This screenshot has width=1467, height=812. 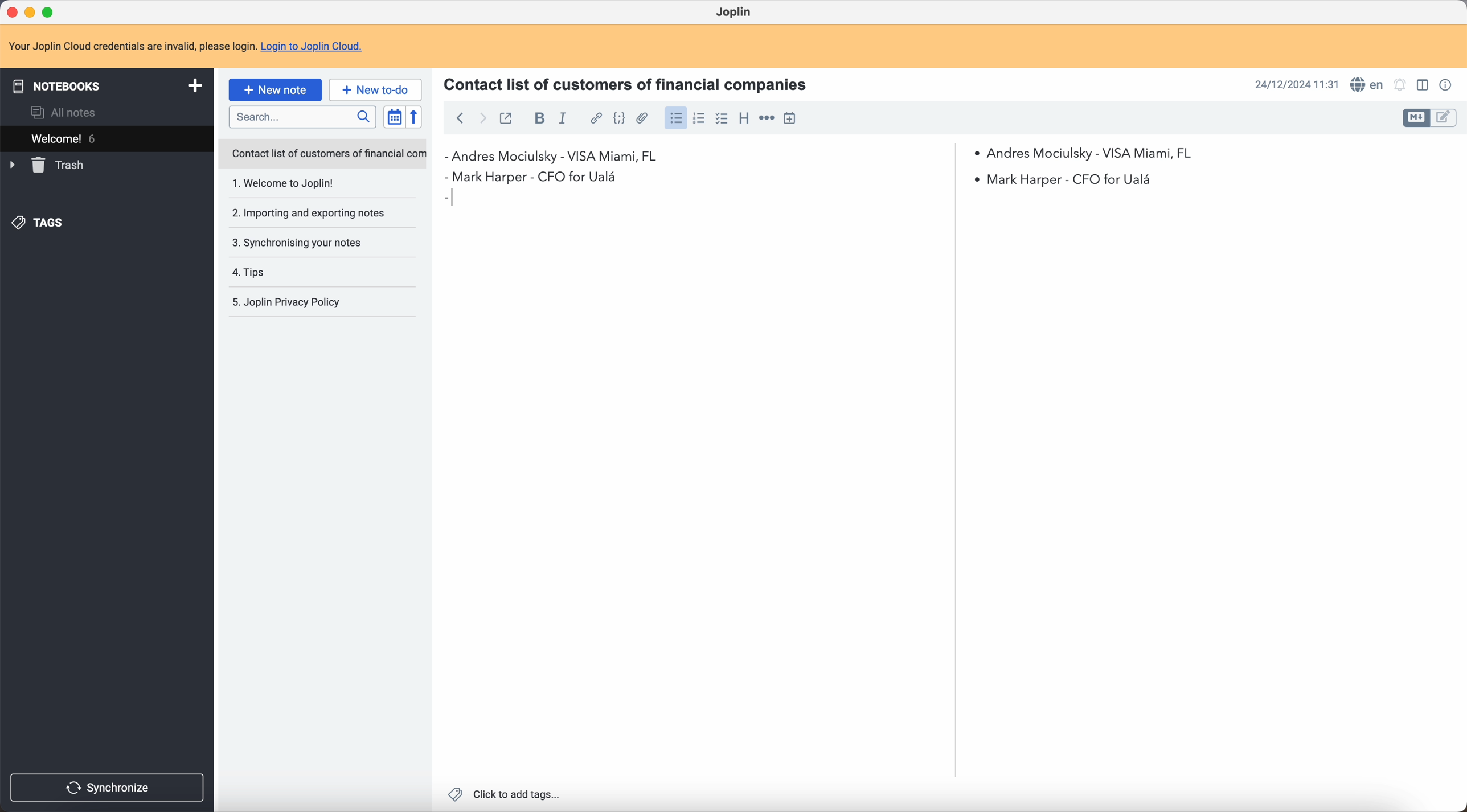 What do you see at coordinates (949, 253) in the screenshot?
I see `scroll bar` at bounding box center [949, 253].